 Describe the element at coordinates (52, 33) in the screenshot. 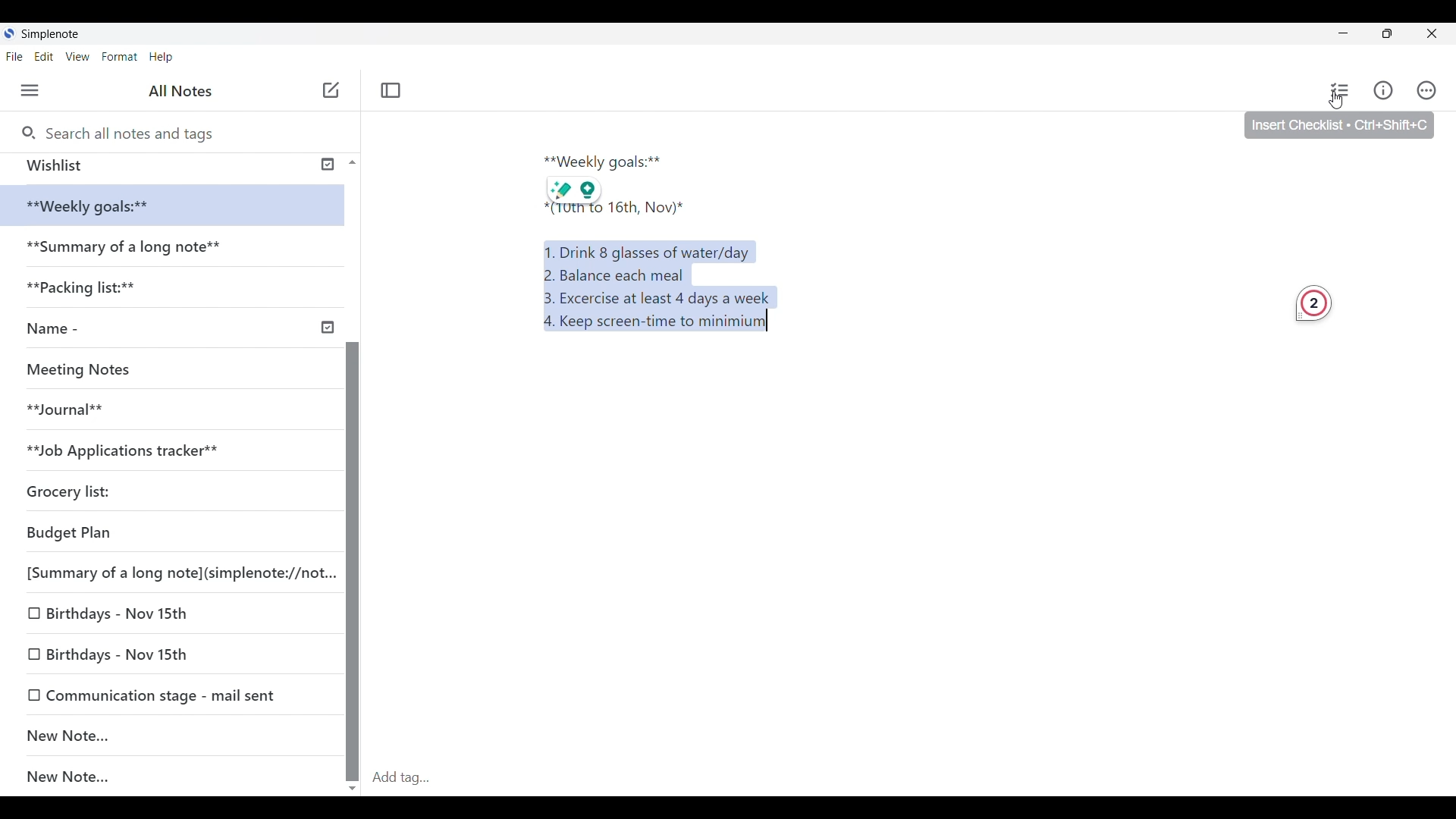

I see `Simple note` at that location.